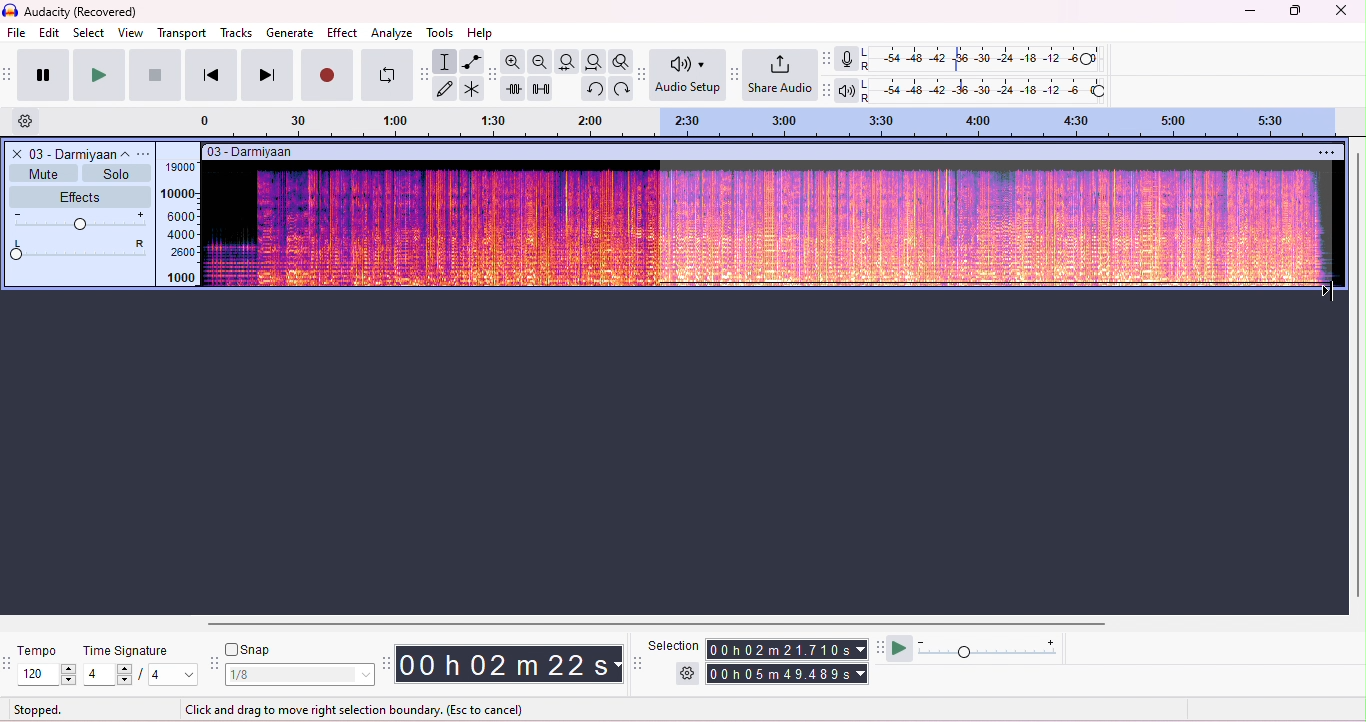 The height and width of the screenshot is (722, 1366). I want to click on options, so click(147, 153).